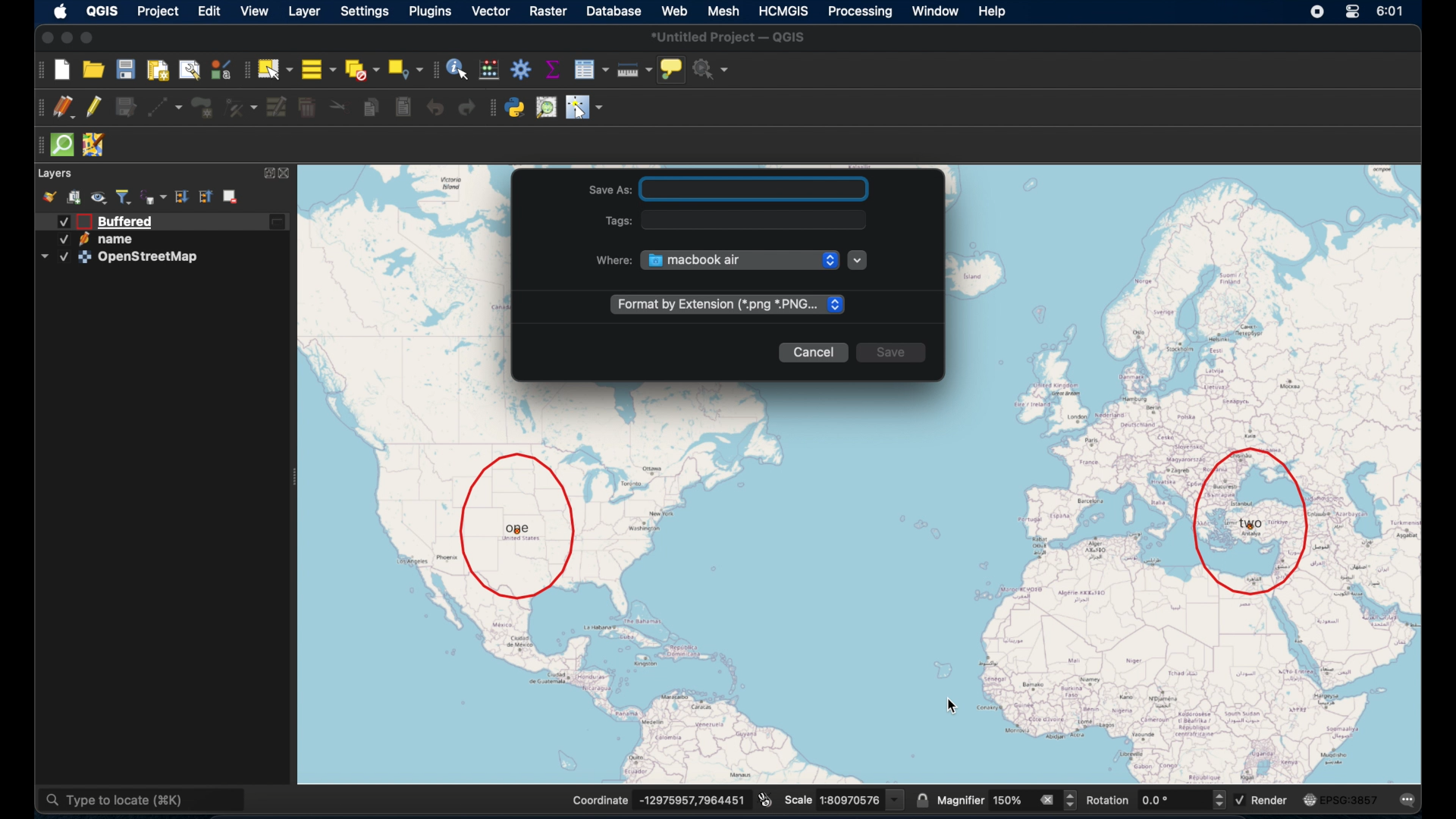 Image resolution: width=1456 pixels, height=819 pixels. Describe the element at coordinates (1218, 802) in the screenshot. I see `Increase and decrease rotation value` at that location.